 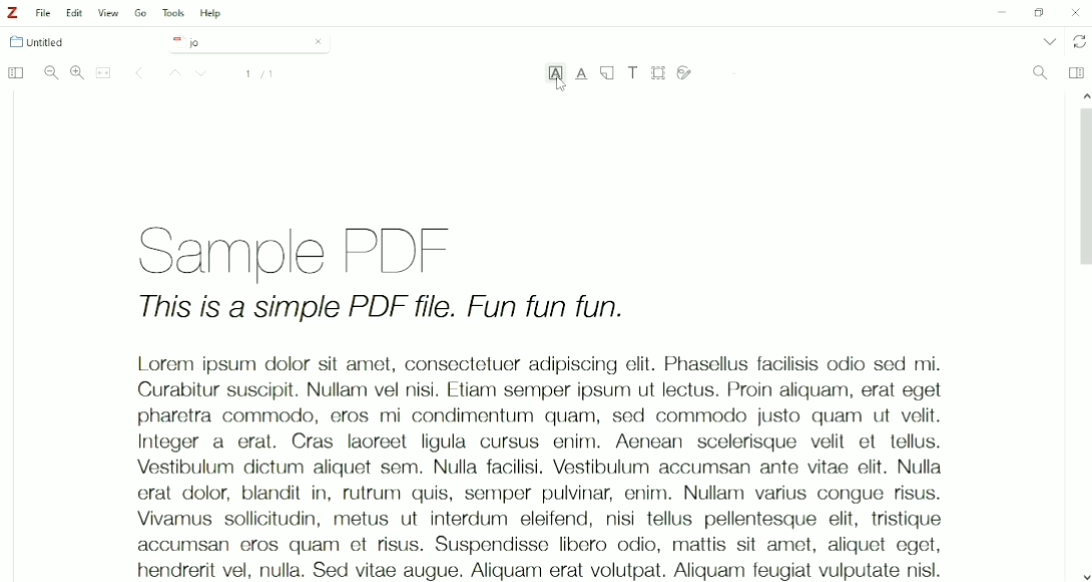 I want to click on Help, so click(x=212, y=14).